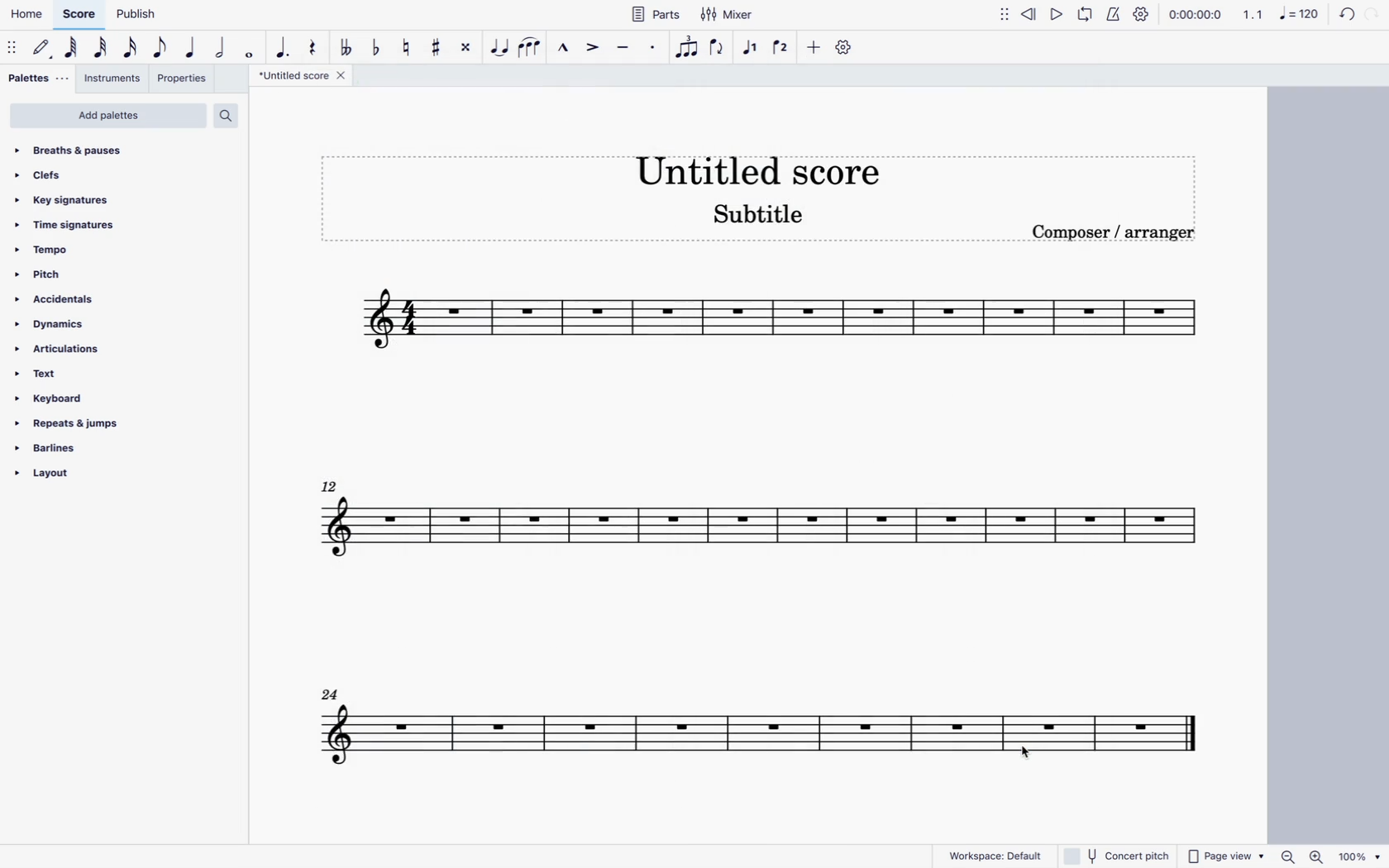 Image resolution: width=1389 pixels, height=868 pixels. Describe the element at coordinates (1001, 12) in the screenshot. I see `More` at that location.